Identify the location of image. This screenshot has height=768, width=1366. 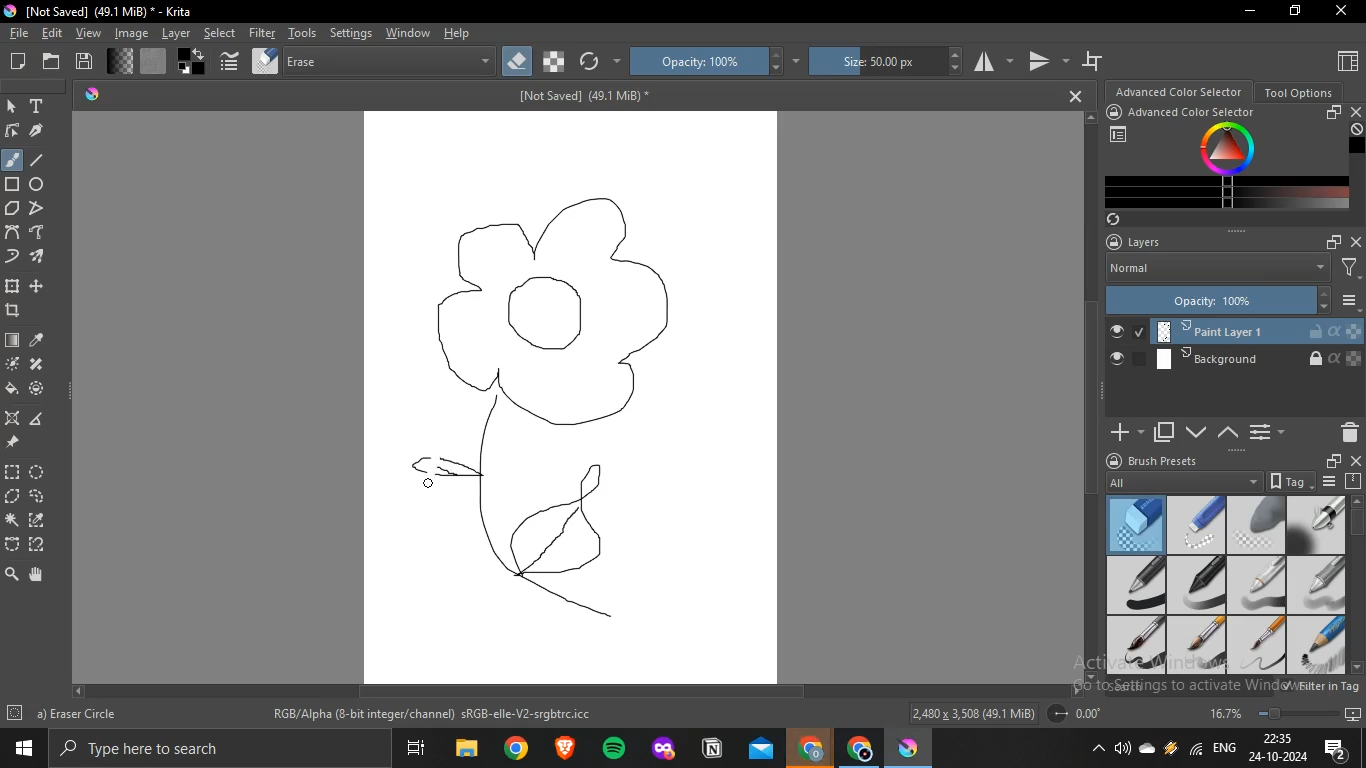
(129, 32).